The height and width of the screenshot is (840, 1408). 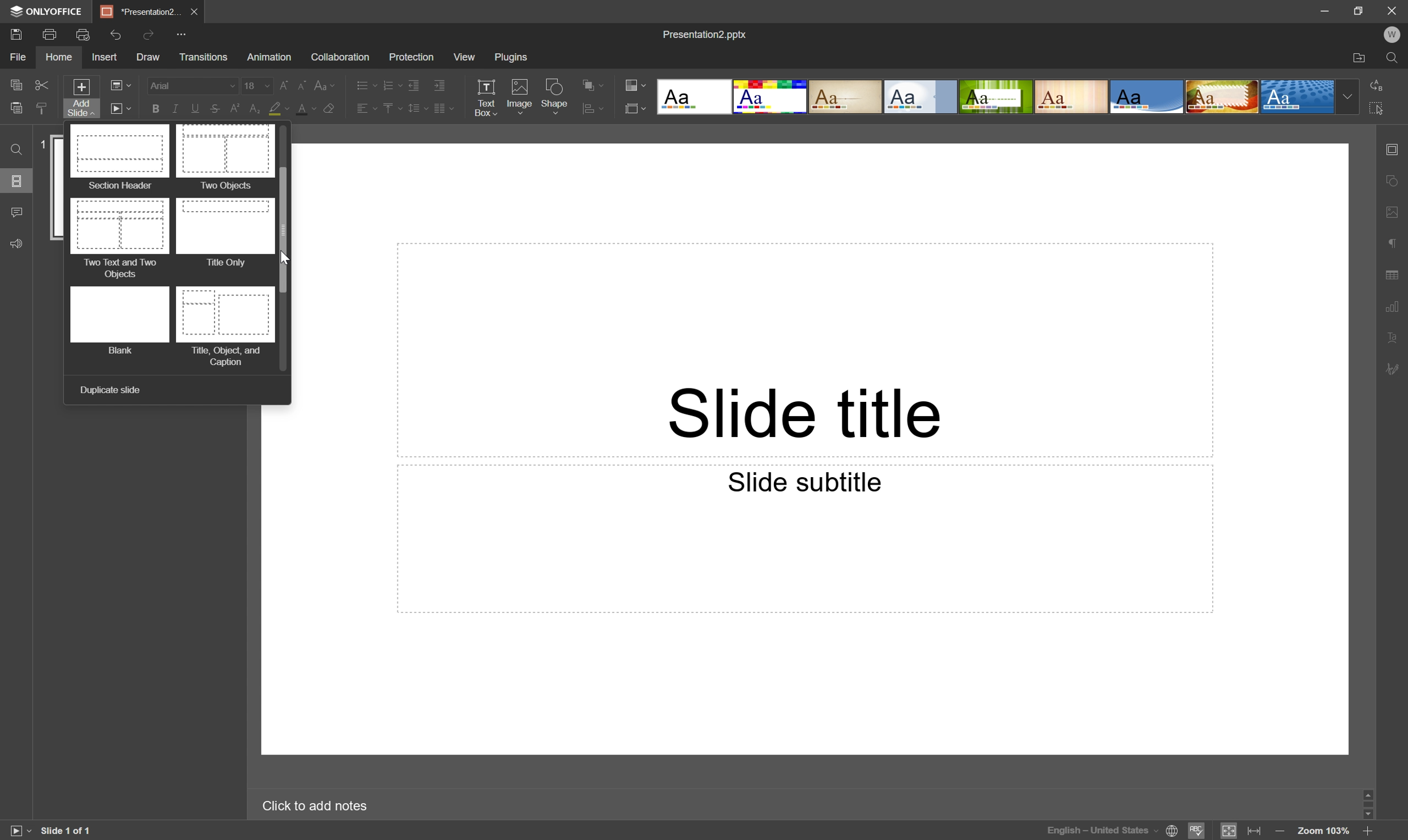 I want to click on Chart settings, so click(x=1394, y=305).